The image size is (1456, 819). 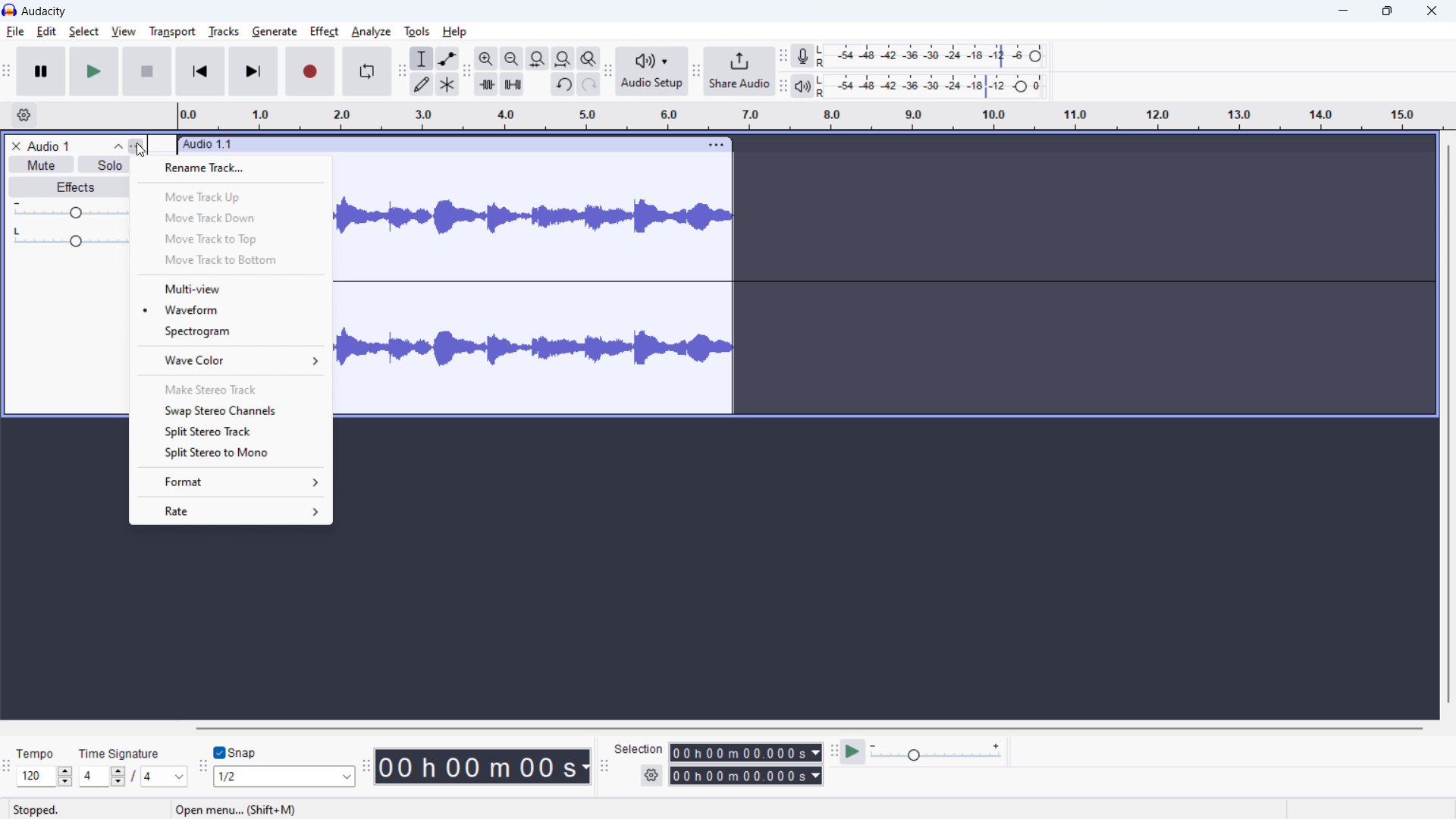 I want to click on stop, so click(x=147, y=71).